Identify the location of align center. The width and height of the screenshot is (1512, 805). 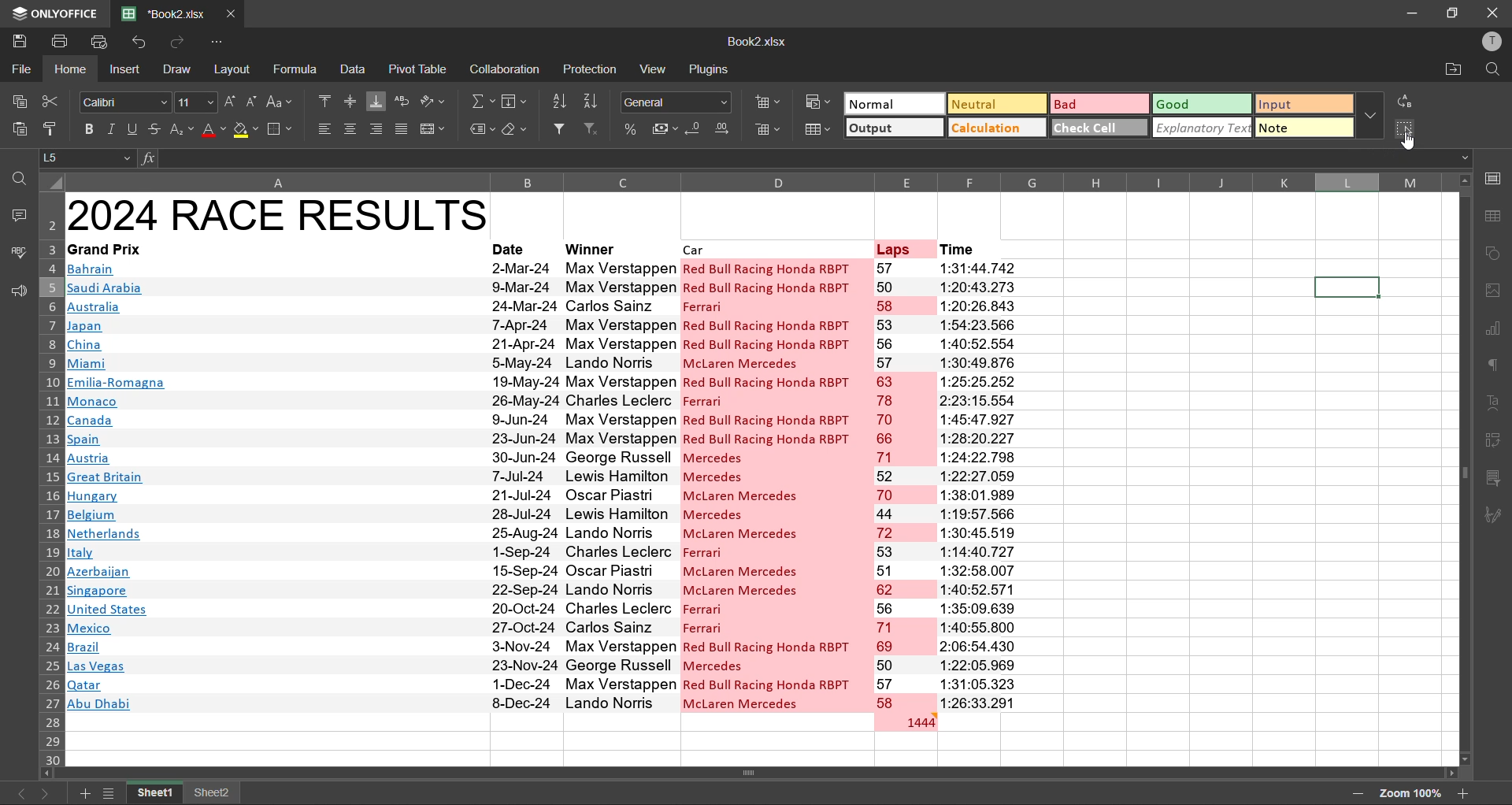
(350, 131).